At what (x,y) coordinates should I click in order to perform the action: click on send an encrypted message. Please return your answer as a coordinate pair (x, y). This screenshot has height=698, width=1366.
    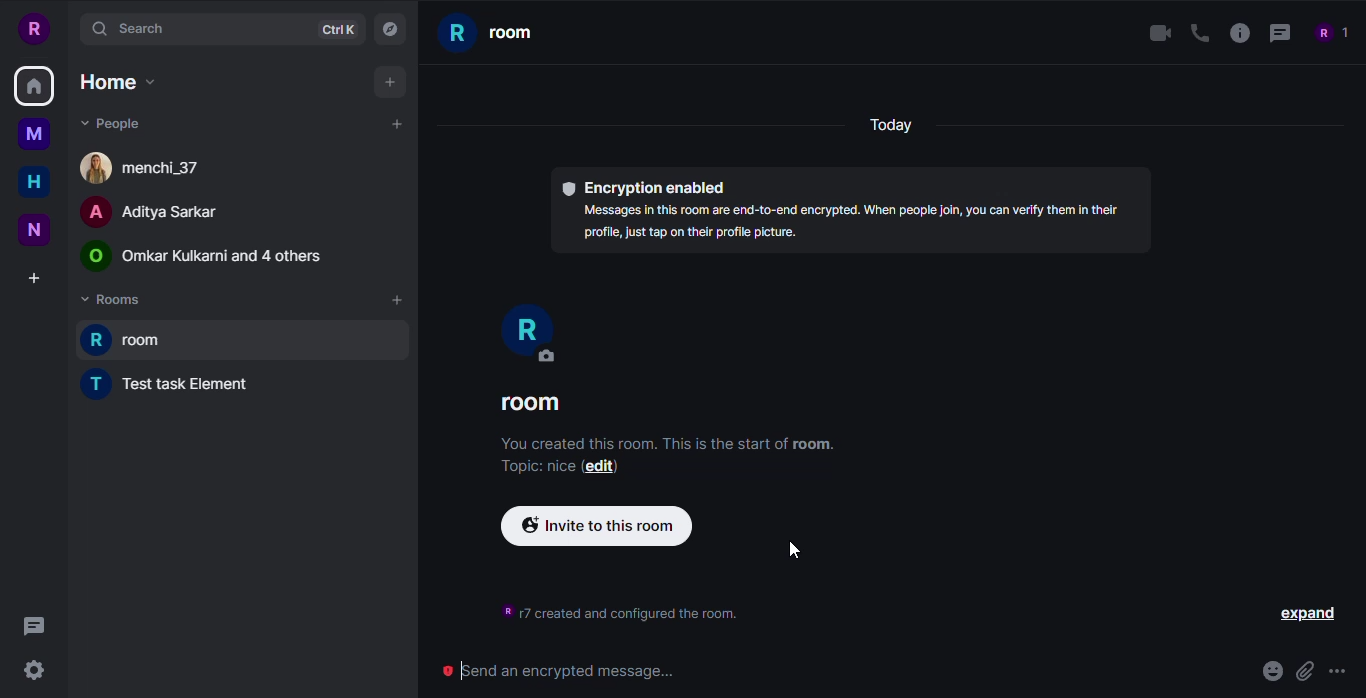
    Looking at the image, I should click on (575, 669).